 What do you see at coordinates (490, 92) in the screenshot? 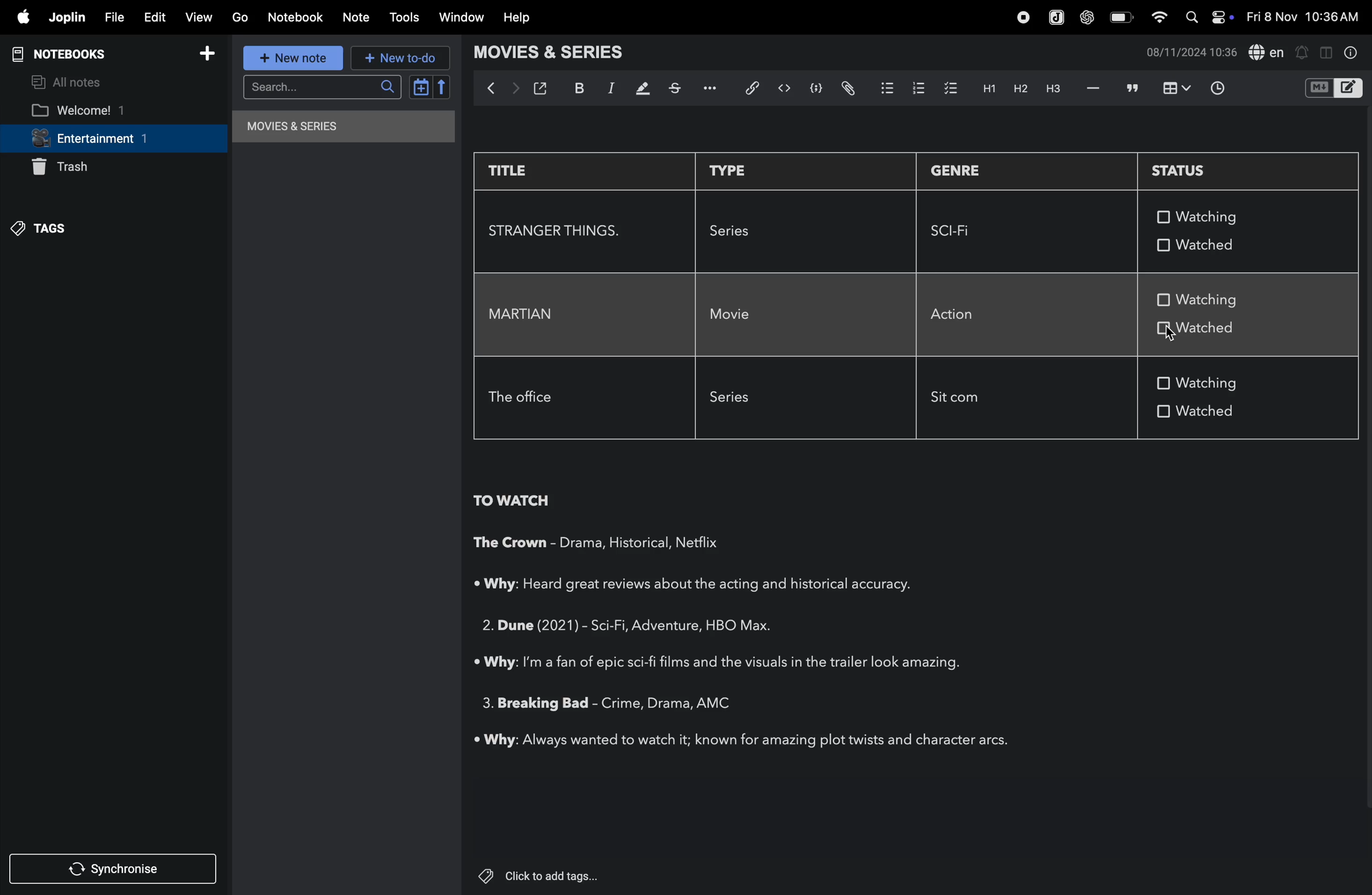
I see `backward` at bounding box center [490, 92].